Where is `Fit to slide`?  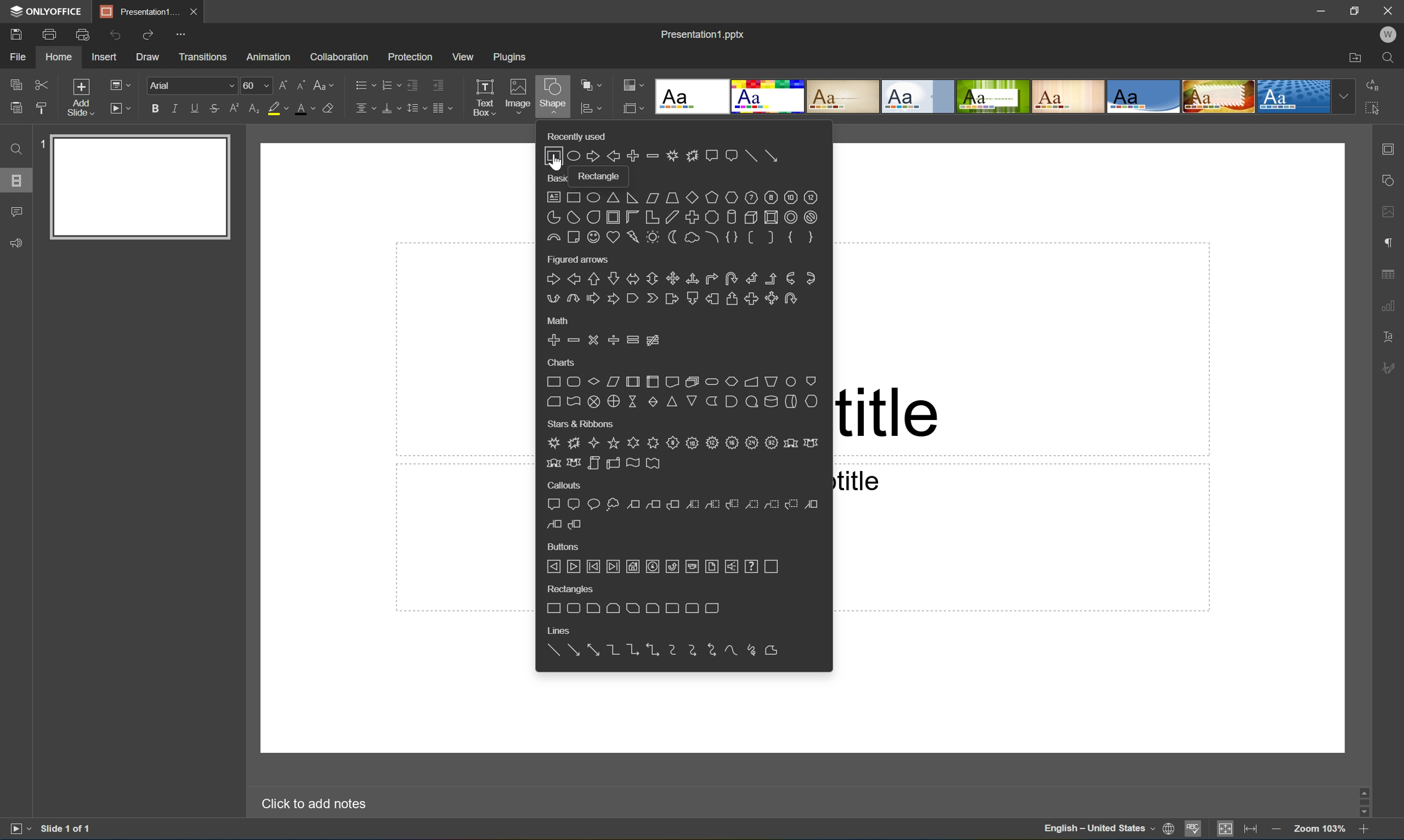 Fit to slide is located at coordinates (1228, 832).